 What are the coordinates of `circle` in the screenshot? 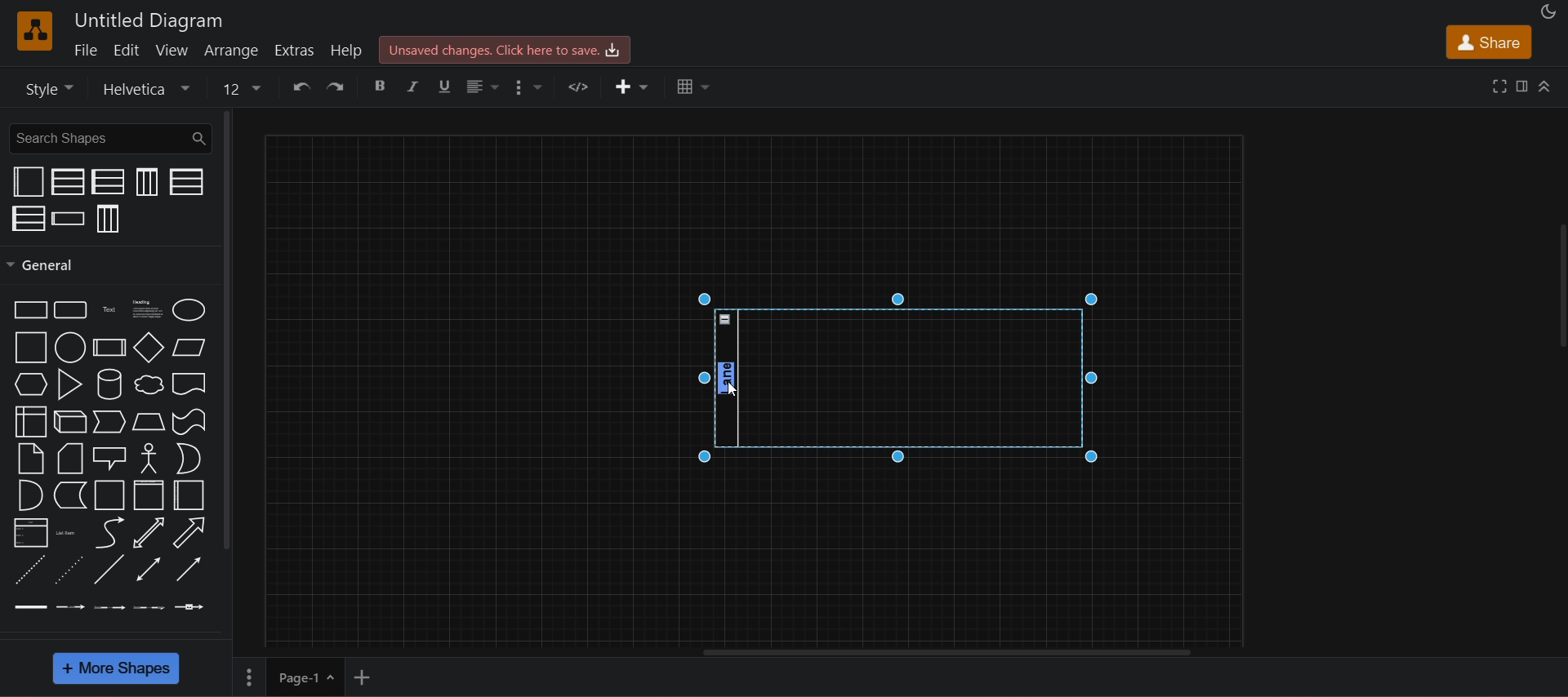 It's located at (70, 347).